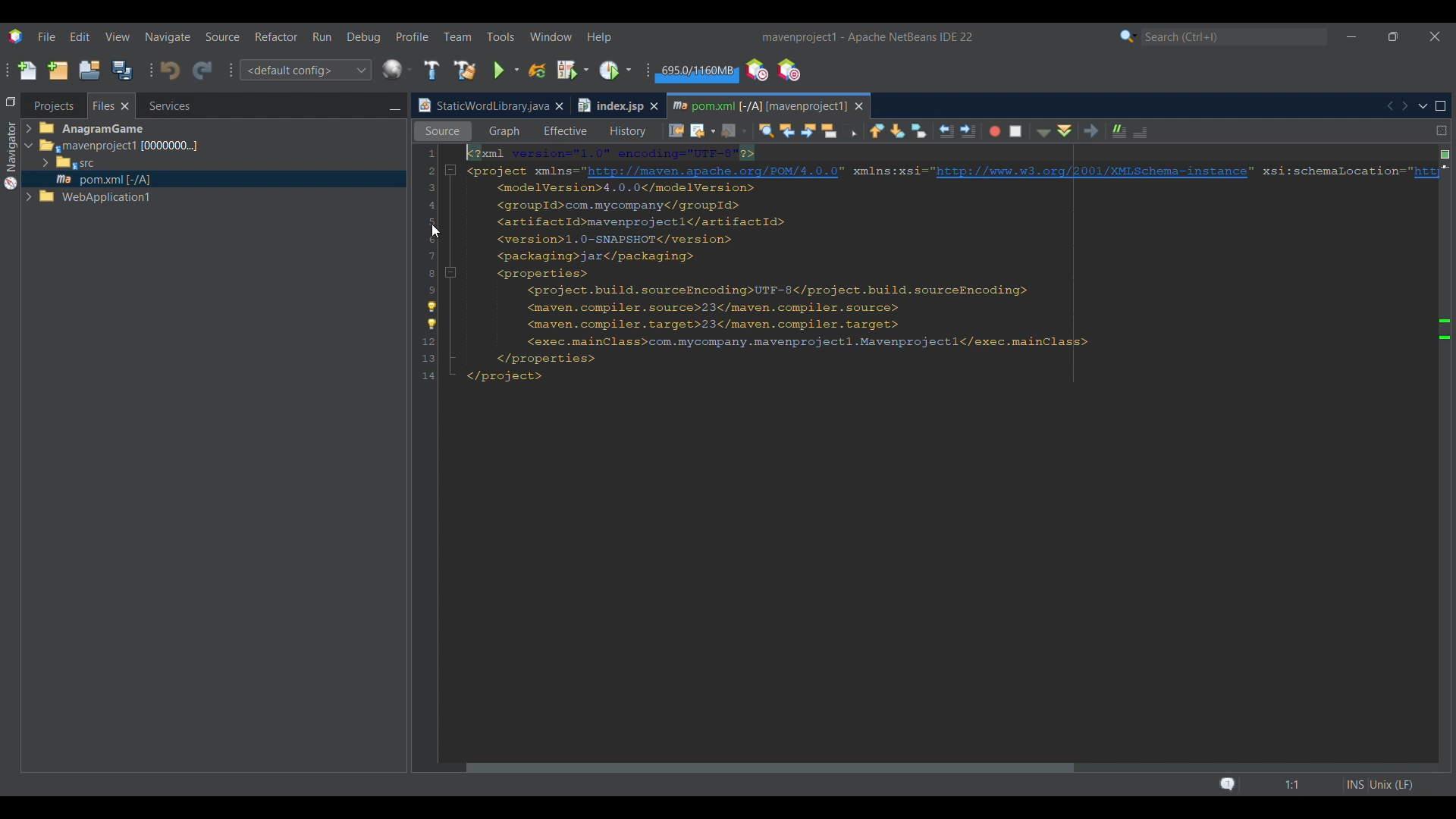 This screenshot has height=819, width=1456. What do you see at coordinates (202, 71) in the screenshot?
I see `Redo` at bounding box center [202, 71].